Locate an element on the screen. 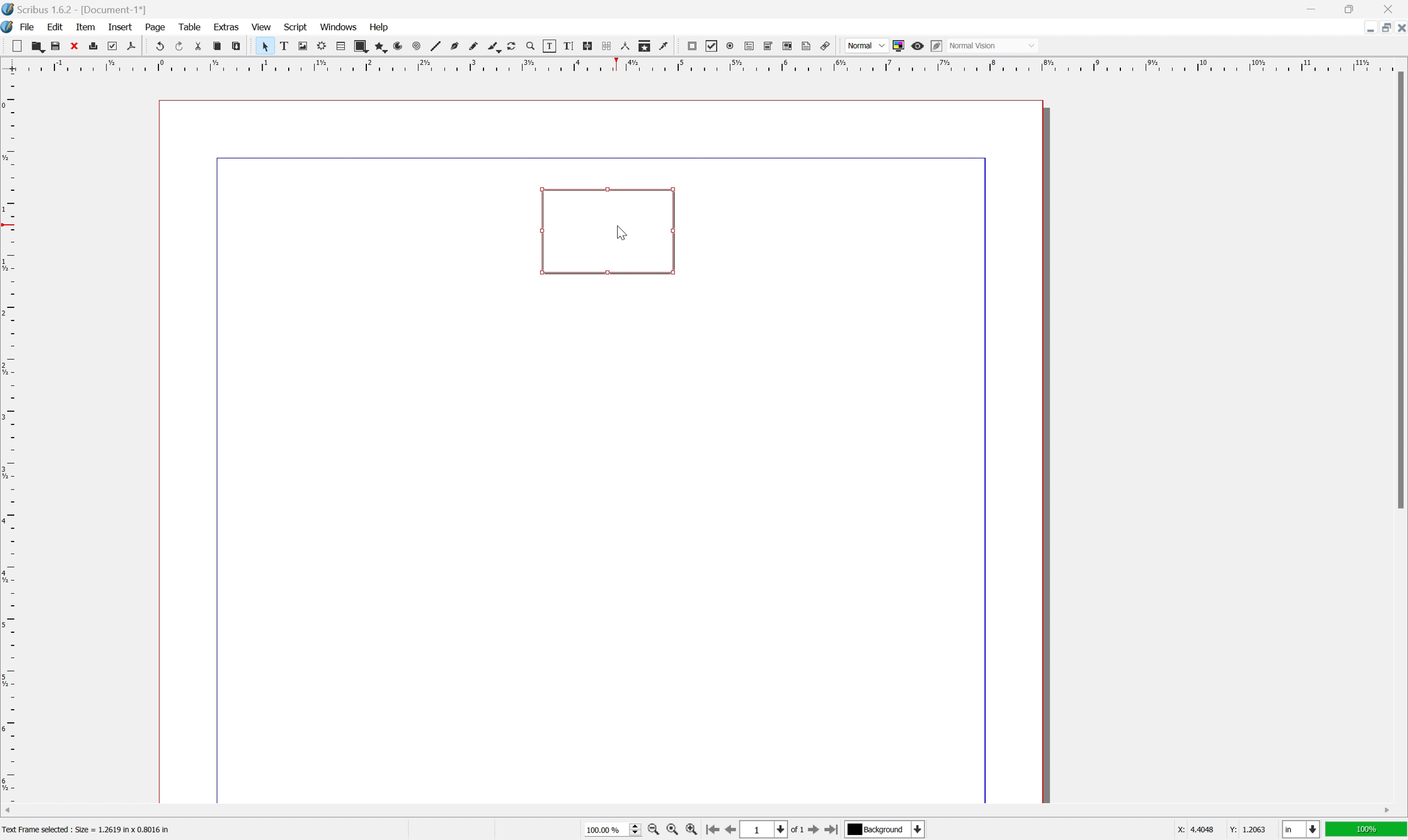 This screenshot has height=840, width=1408. link text frames is located at coordinates (588, 45).